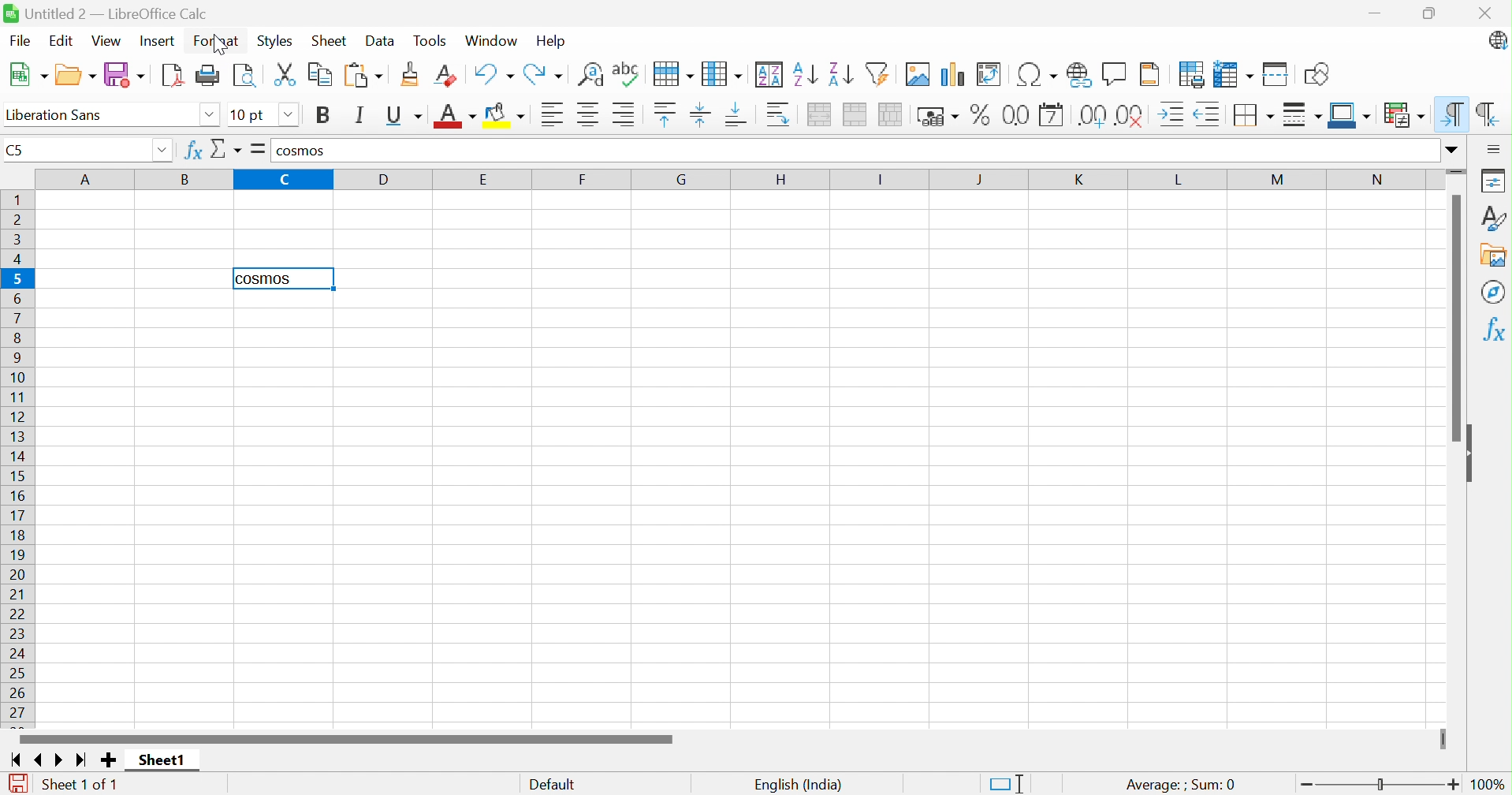  I want to click on Undo, so click(493, 74).